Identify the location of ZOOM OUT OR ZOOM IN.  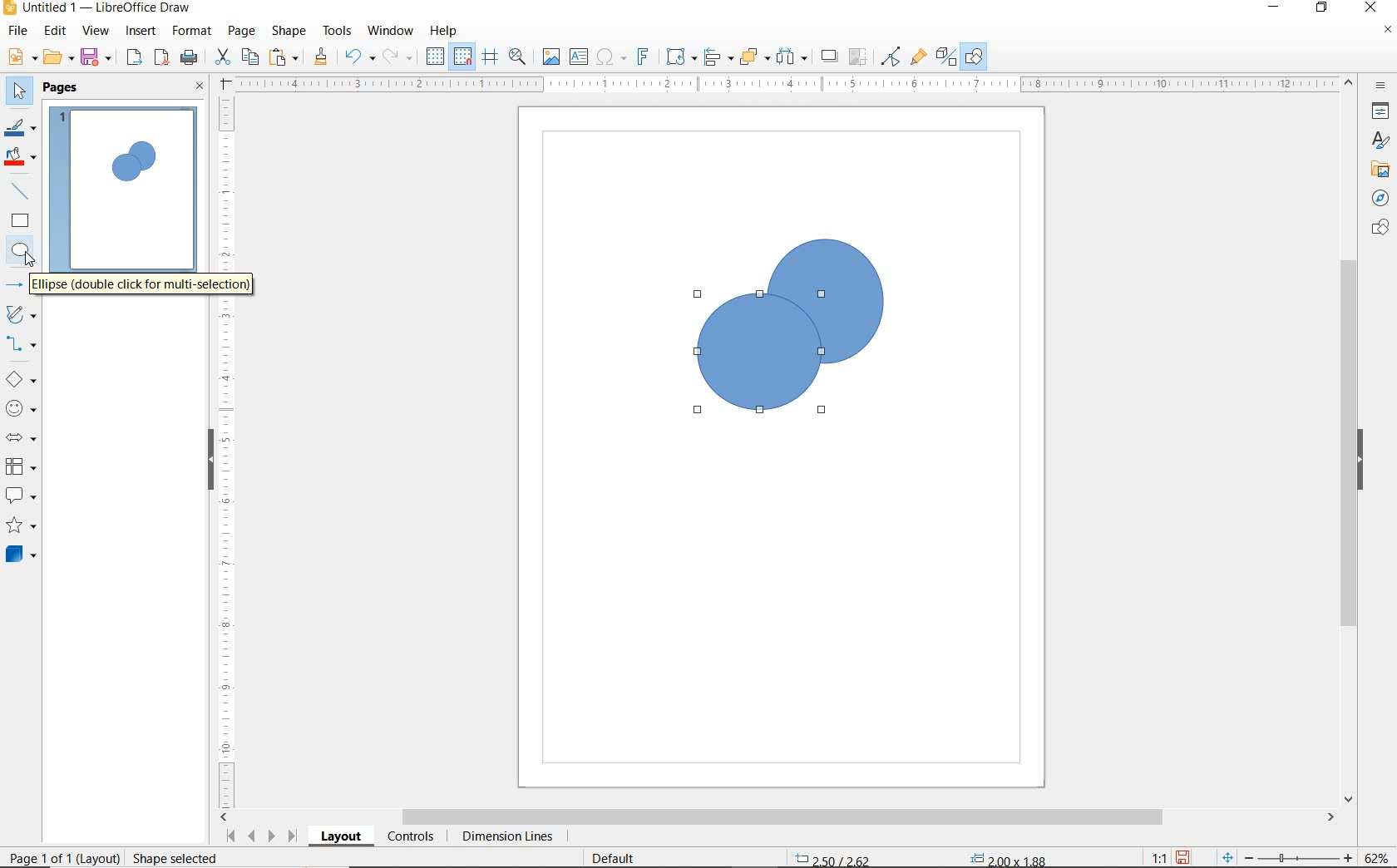
(1287, 858).